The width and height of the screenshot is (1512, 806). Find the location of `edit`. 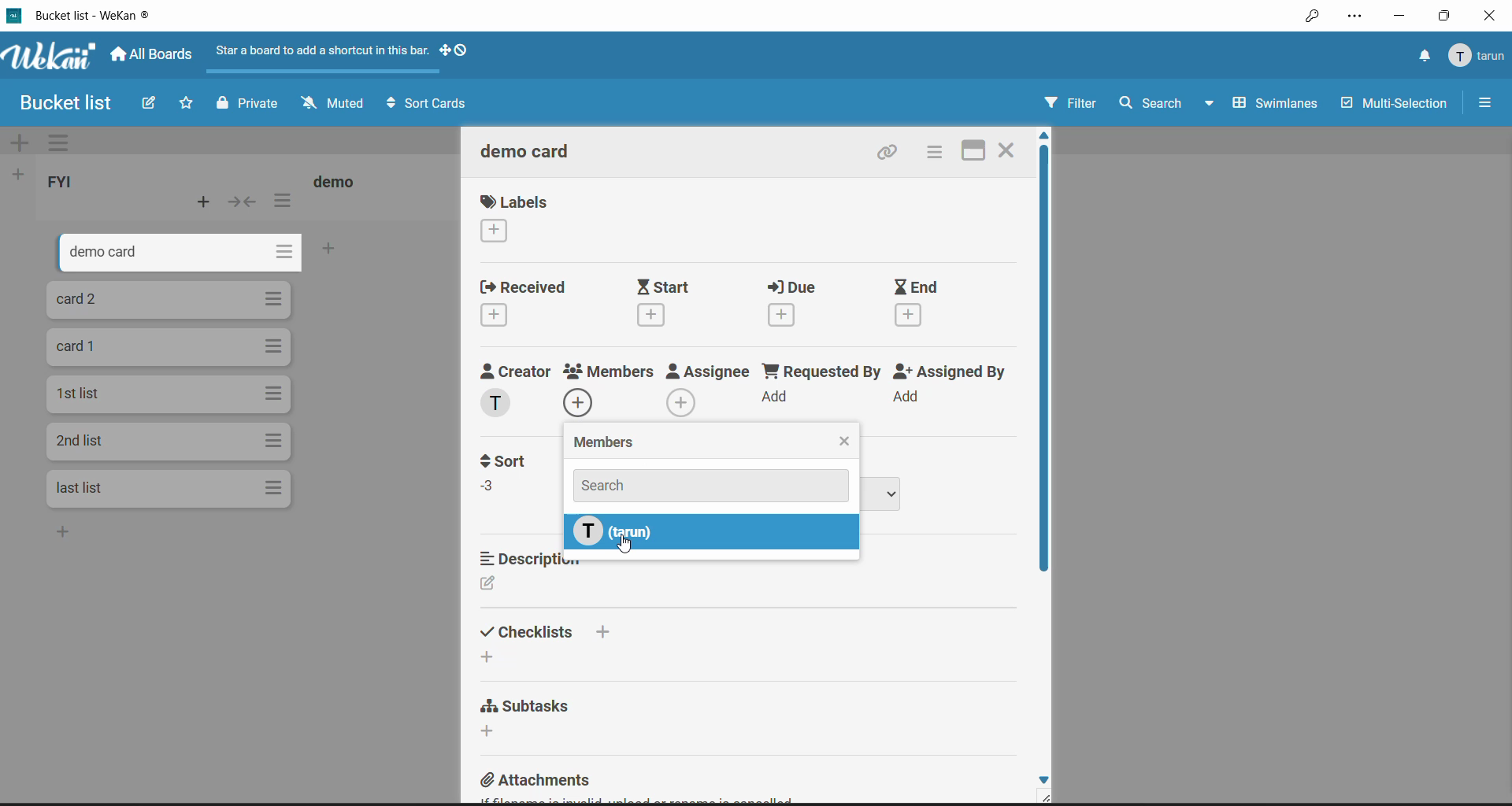

edit is located at coordinates (491, 586).